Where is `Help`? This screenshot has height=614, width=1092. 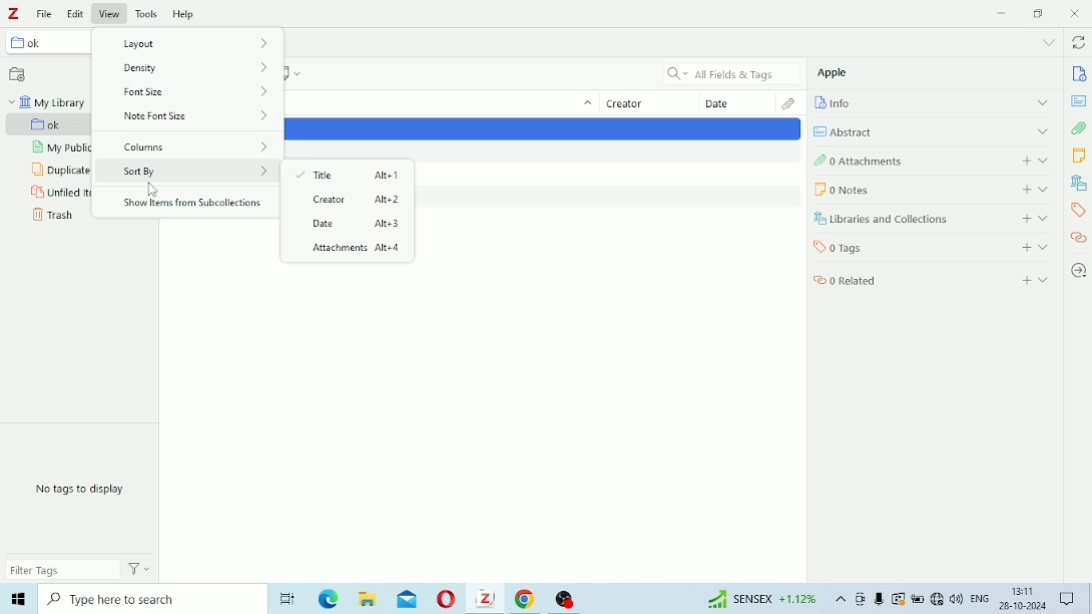 Help is located at coordinates (184, 11).